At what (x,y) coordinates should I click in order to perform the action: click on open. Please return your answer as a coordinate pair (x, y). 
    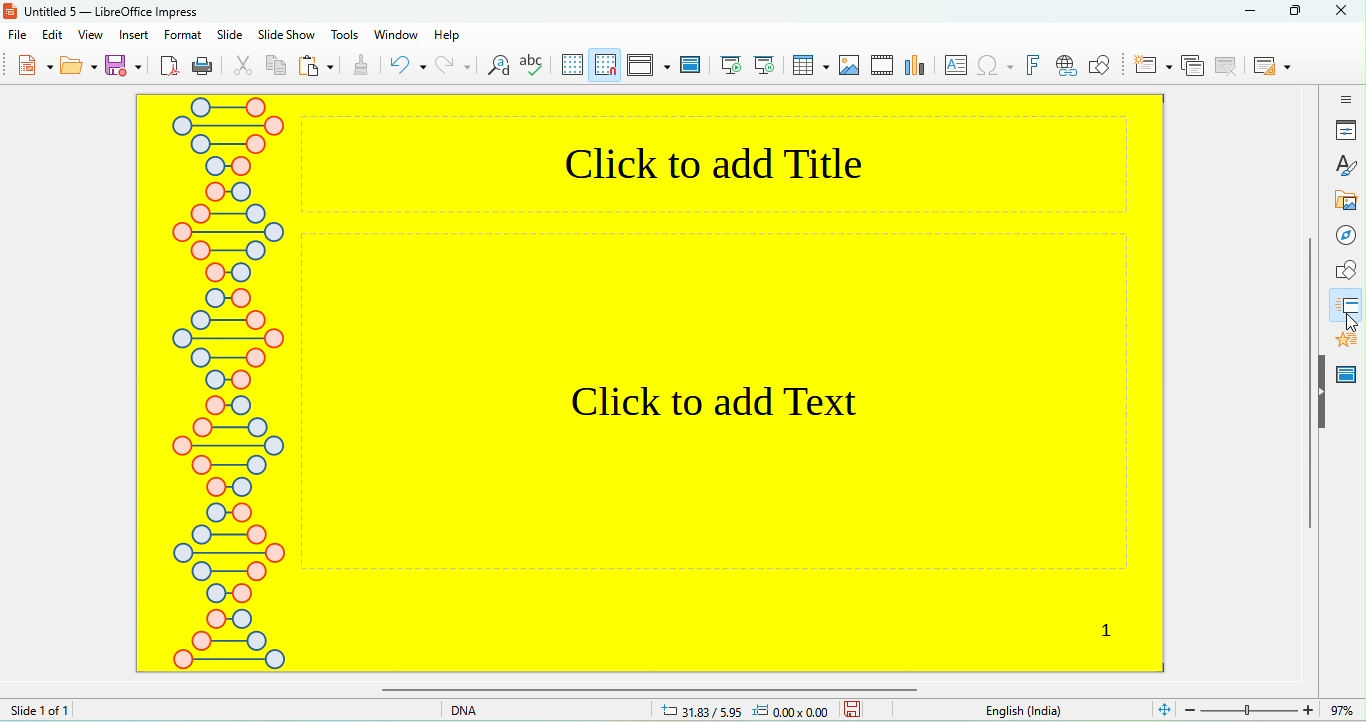
    Looking at the image, I should click on (79, 67).